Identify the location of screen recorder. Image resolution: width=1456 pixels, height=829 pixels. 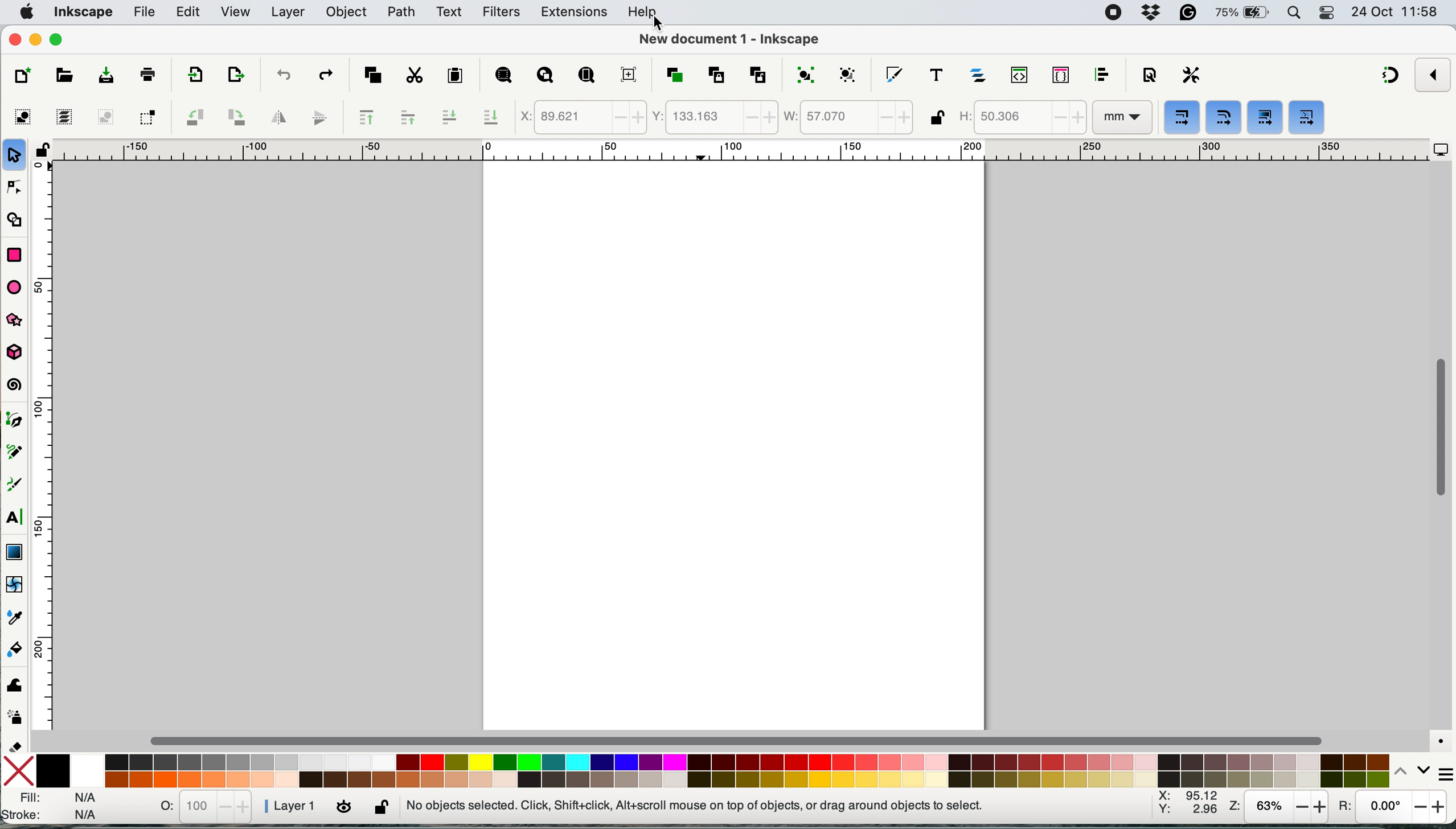
(1113, 13).